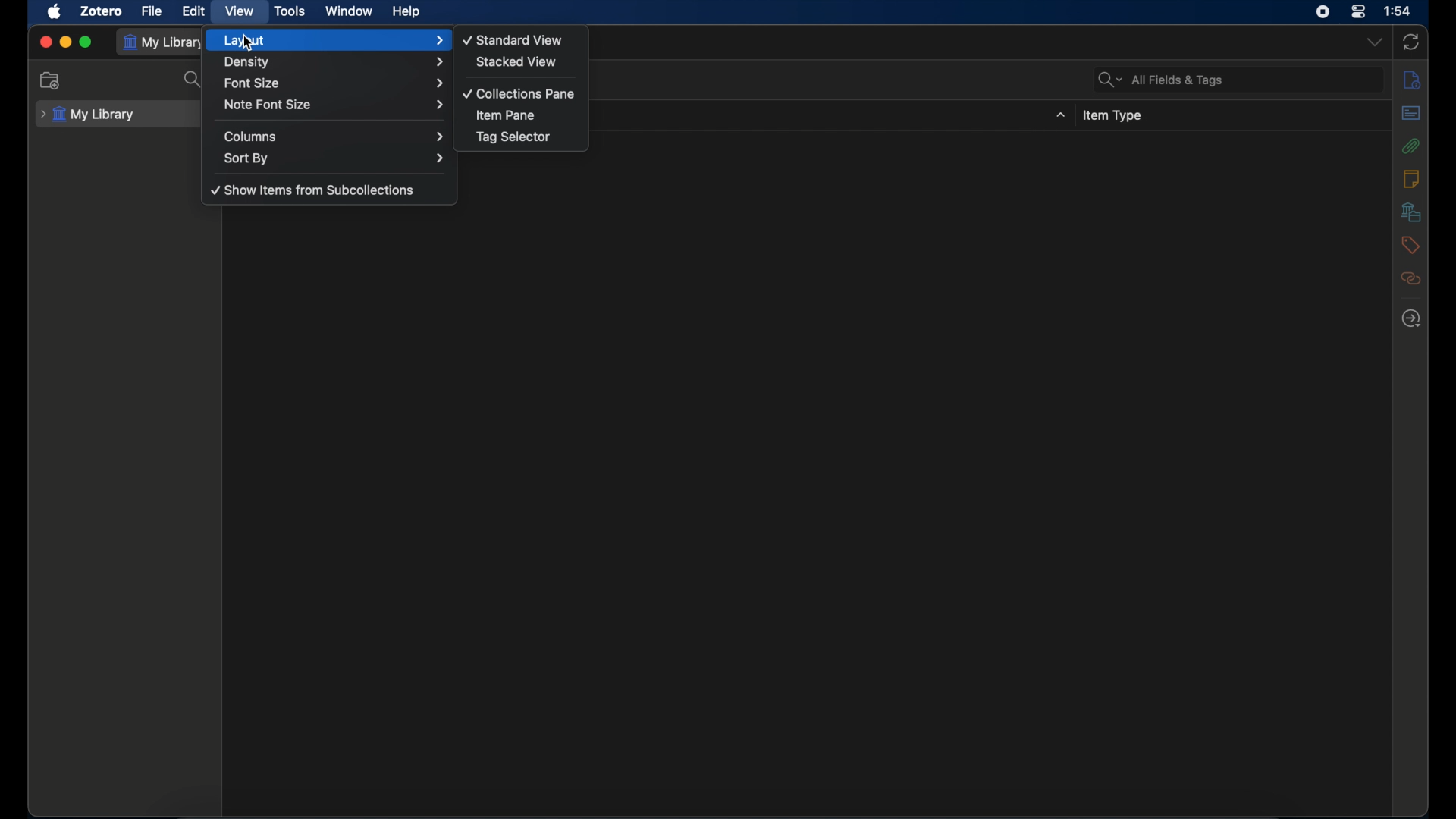 The width and height of the screenshot is (1456, 819). What do you see at coordinates (101, 11) in the screenshot?
I see `zotero` at bounding box center [101, 11].